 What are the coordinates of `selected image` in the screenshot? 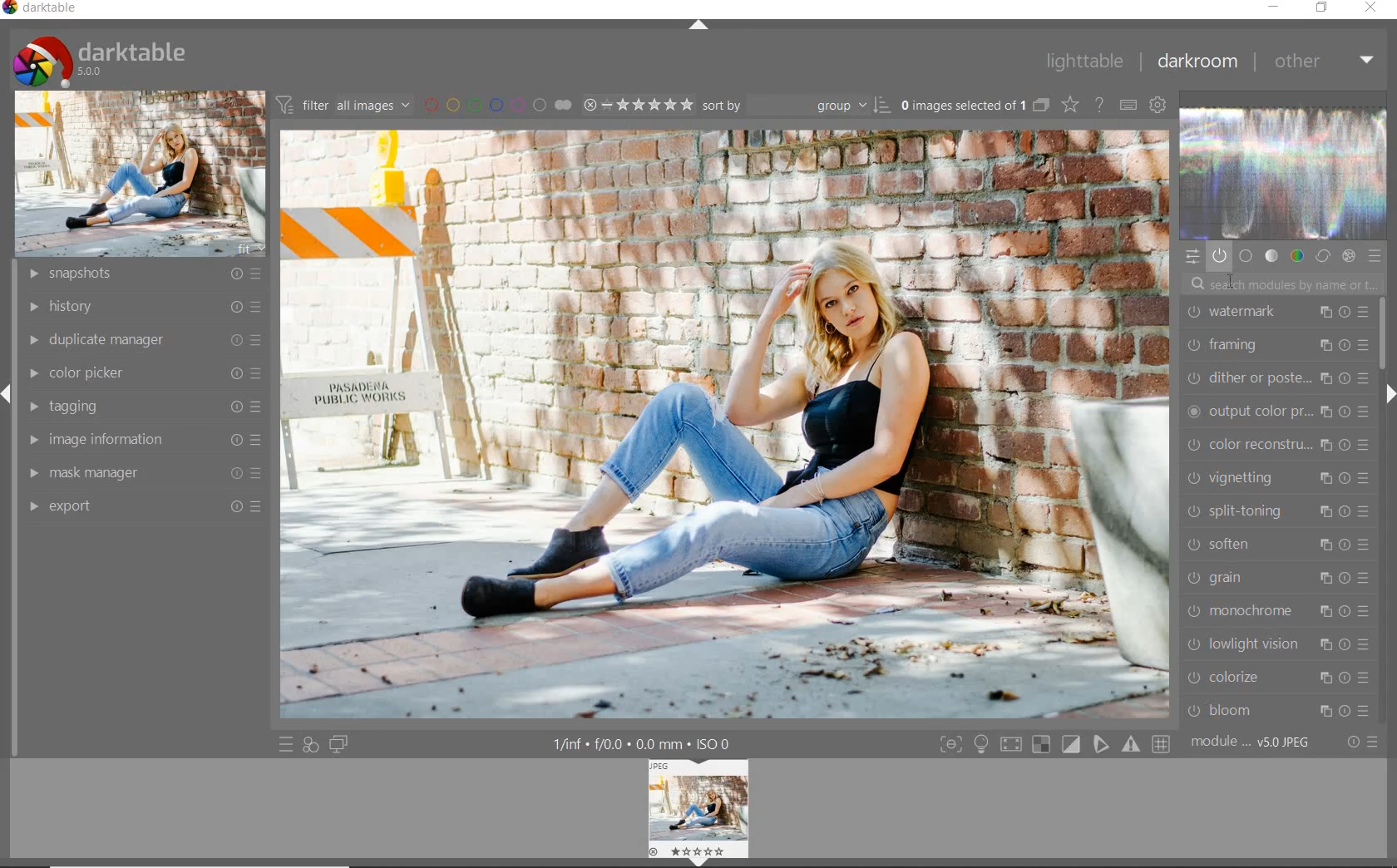 It's located at (722, 423).